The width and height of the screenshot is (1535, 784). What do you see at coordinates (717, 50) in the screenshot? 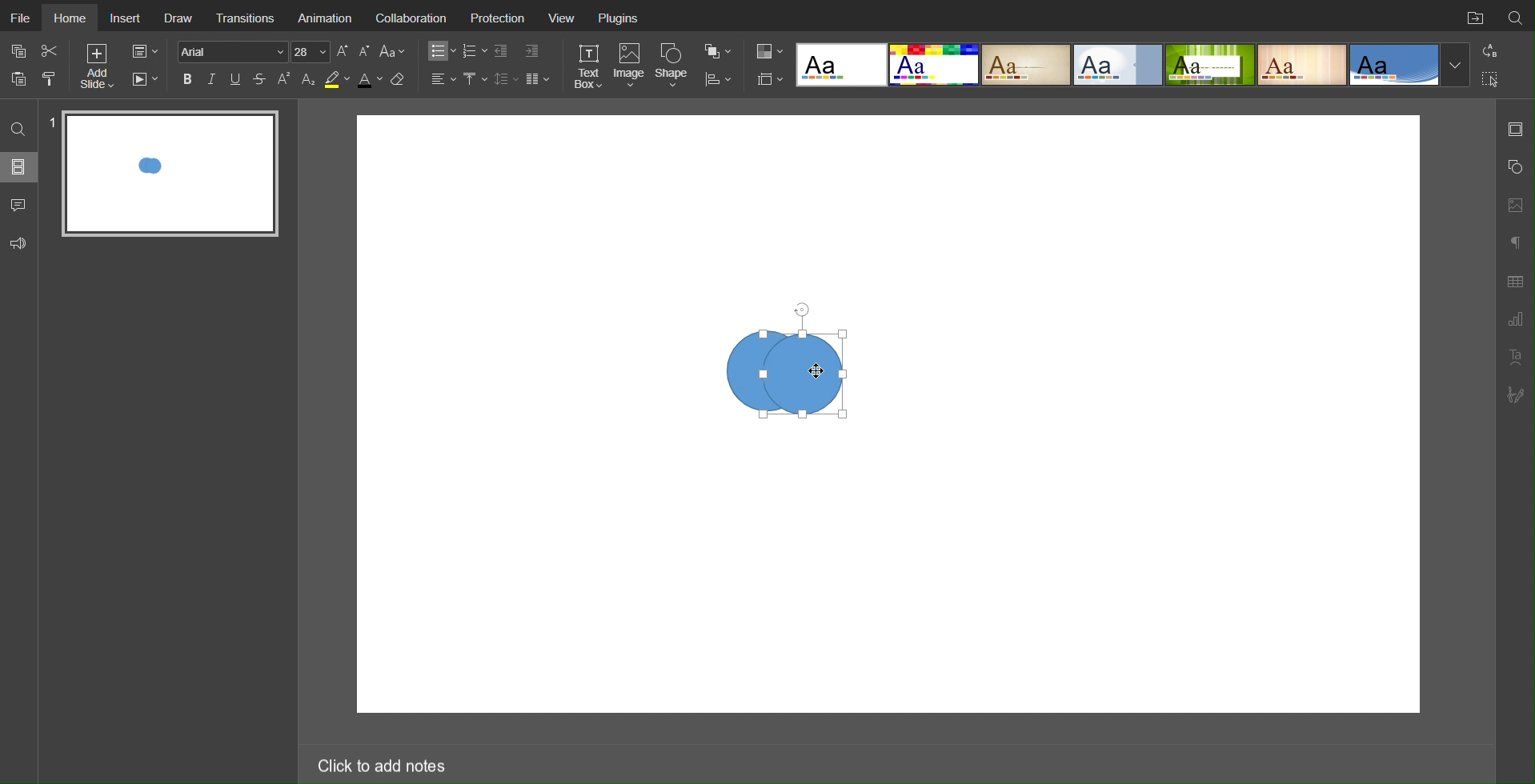
I see `Arrangement` at bounding box center [717, 50].